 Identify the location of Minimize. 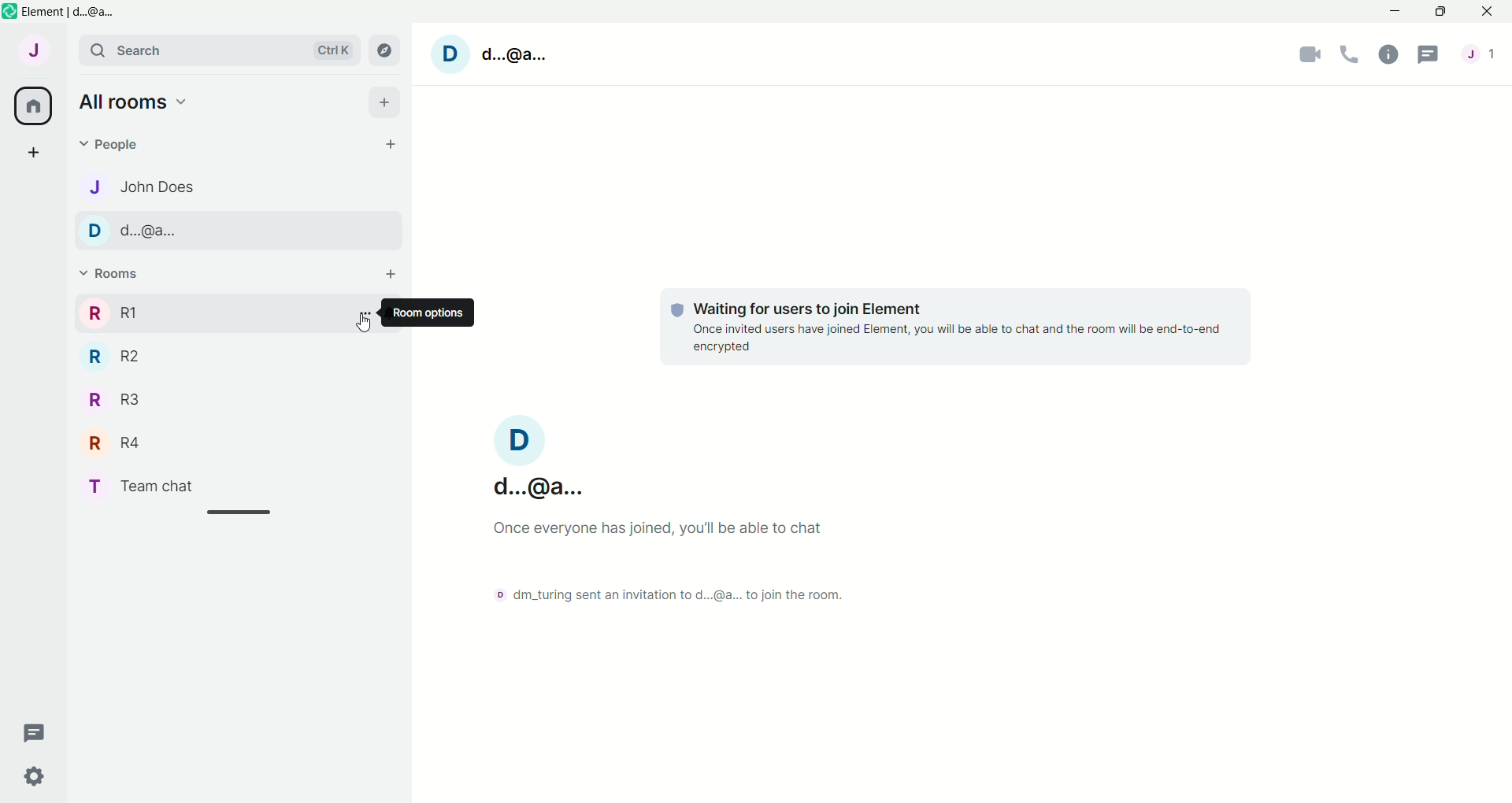
(1397, 12).